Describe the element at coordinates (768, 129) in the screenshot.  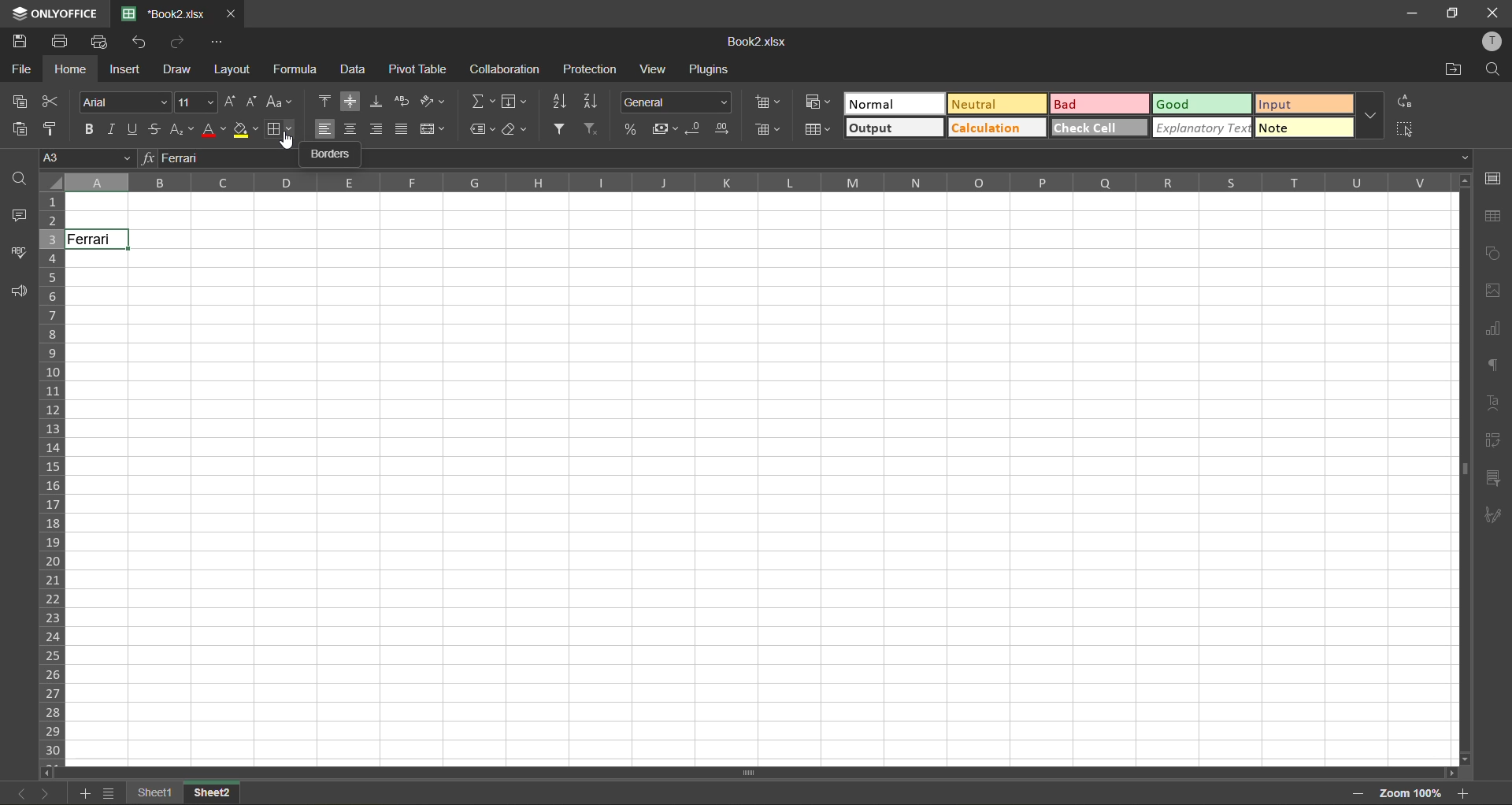
I see `delete cells` at that location.